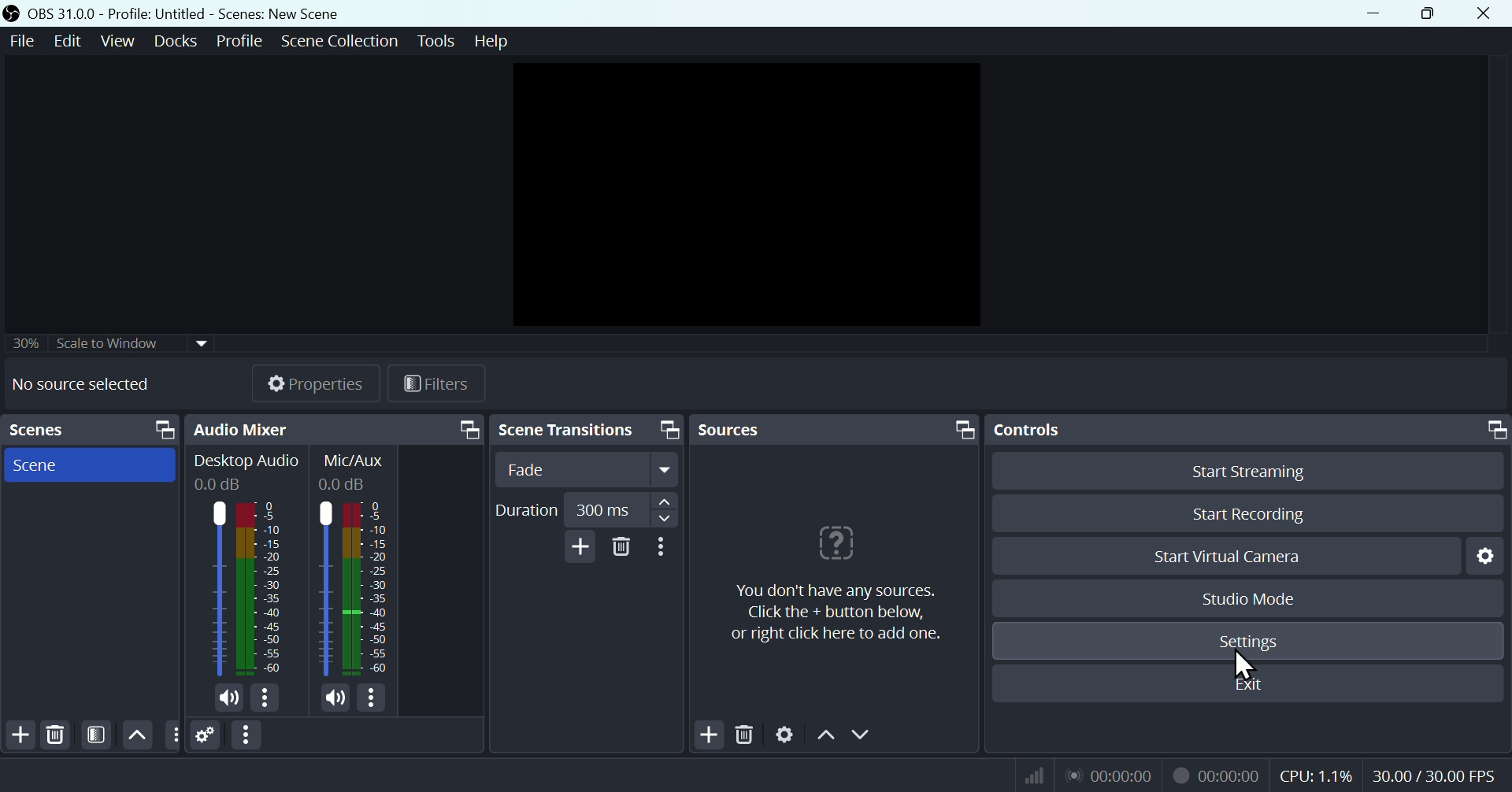 Image resolution: width=1512 pixels, height=792 pixels. Describe the element at coordinates (836, 594) in the screenshot. I see `sources note` at that location.